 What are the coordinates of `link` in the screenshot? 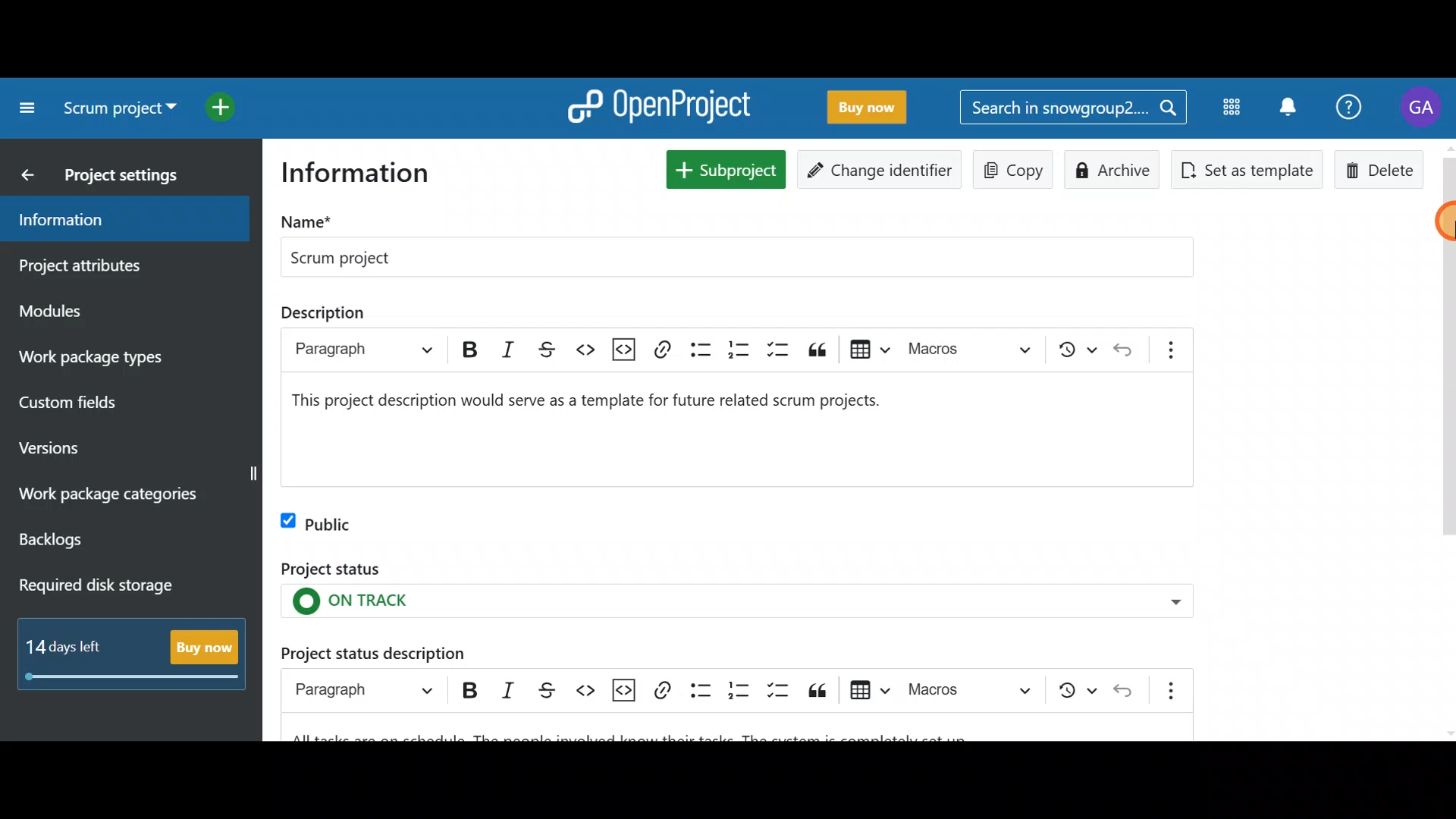 It's located at (663, 349).